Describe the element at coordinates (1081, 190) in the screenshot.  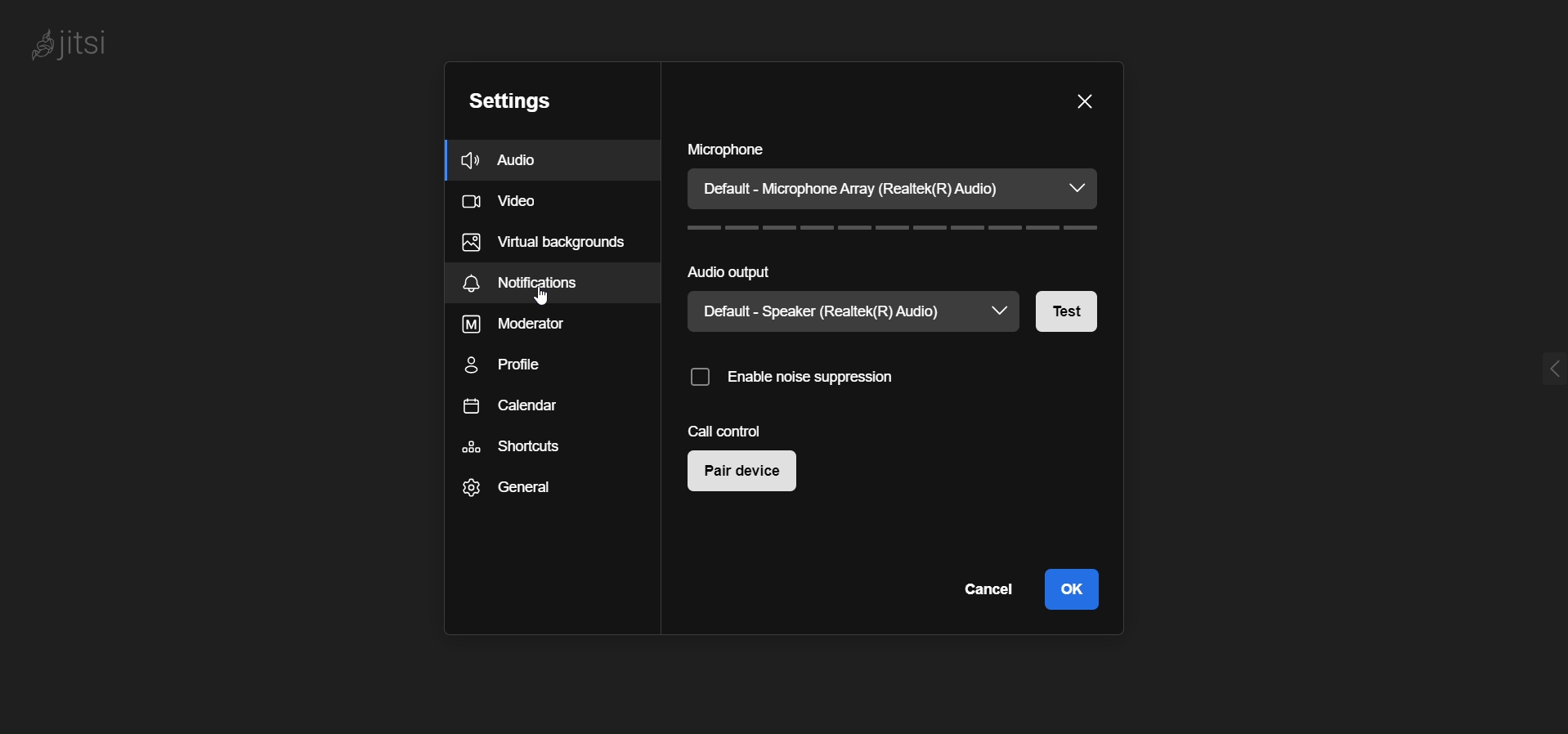
I see `microphone dropdown` at that location.